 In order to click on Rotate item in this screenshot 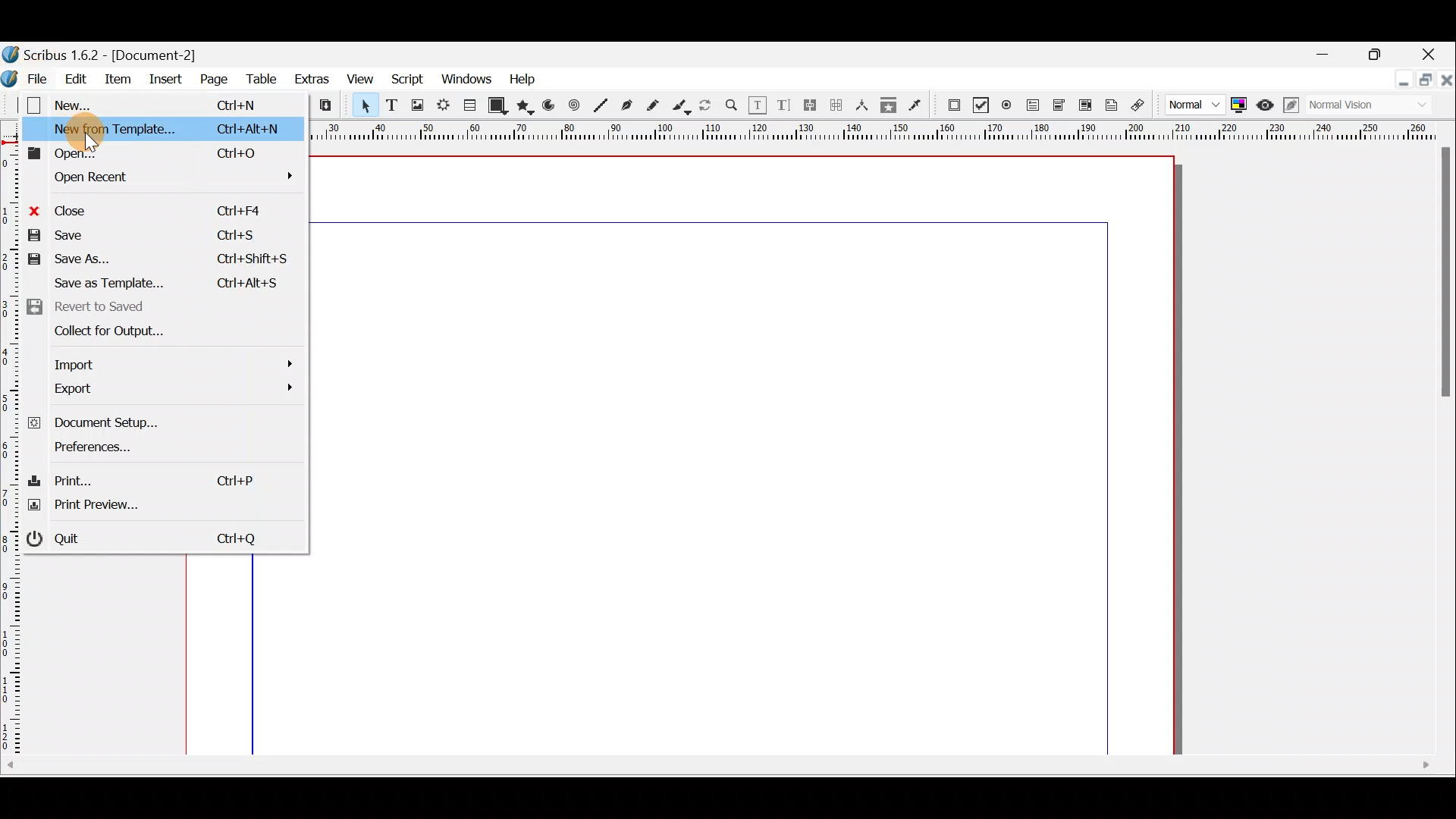, I will do `click(706, 106)`.